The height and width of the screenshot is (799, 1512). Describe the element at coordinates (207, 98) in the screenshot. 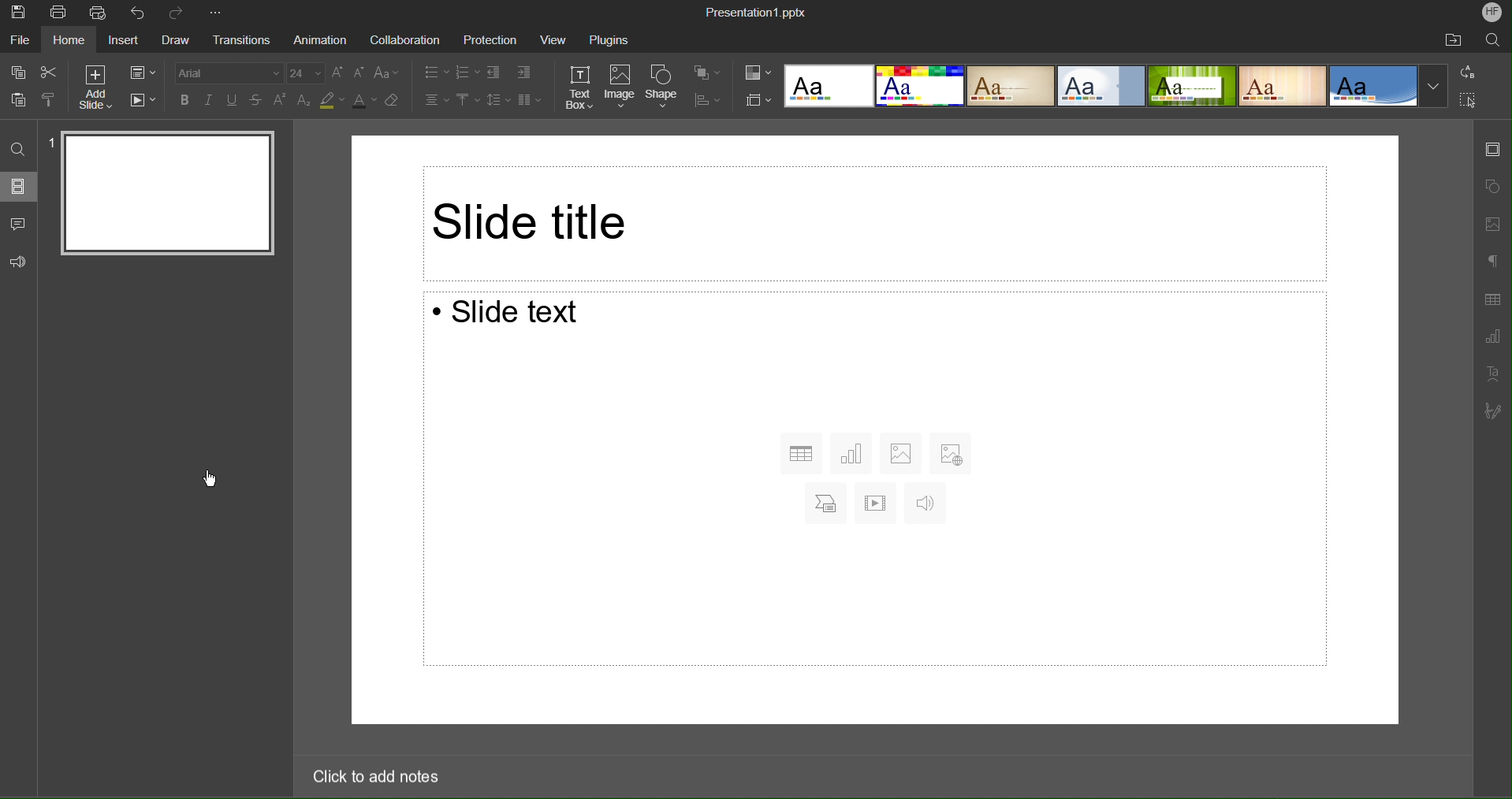

I see `italics` at that location.